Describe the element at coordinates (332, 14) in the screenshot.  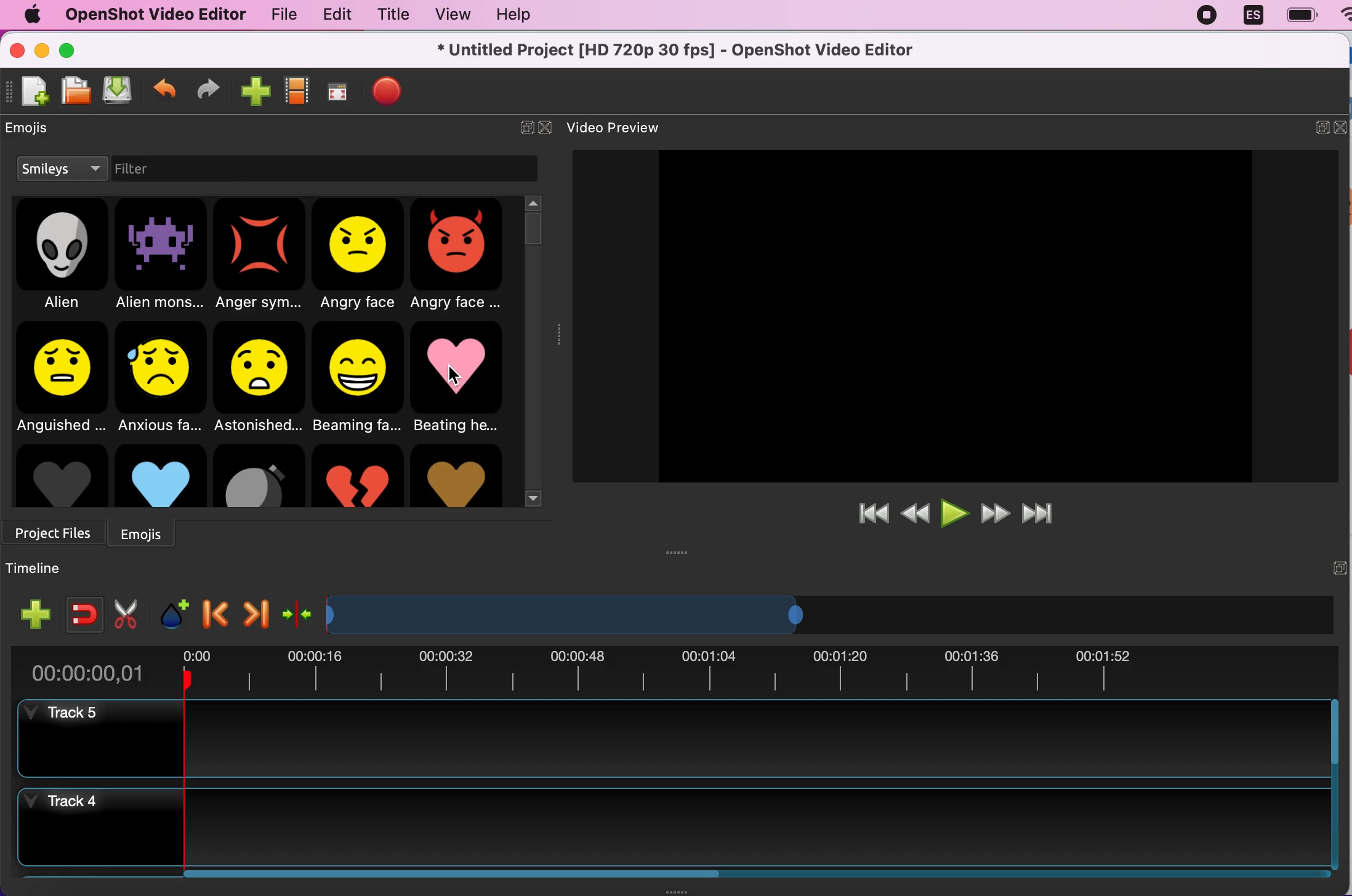
I see `edit` at that location.